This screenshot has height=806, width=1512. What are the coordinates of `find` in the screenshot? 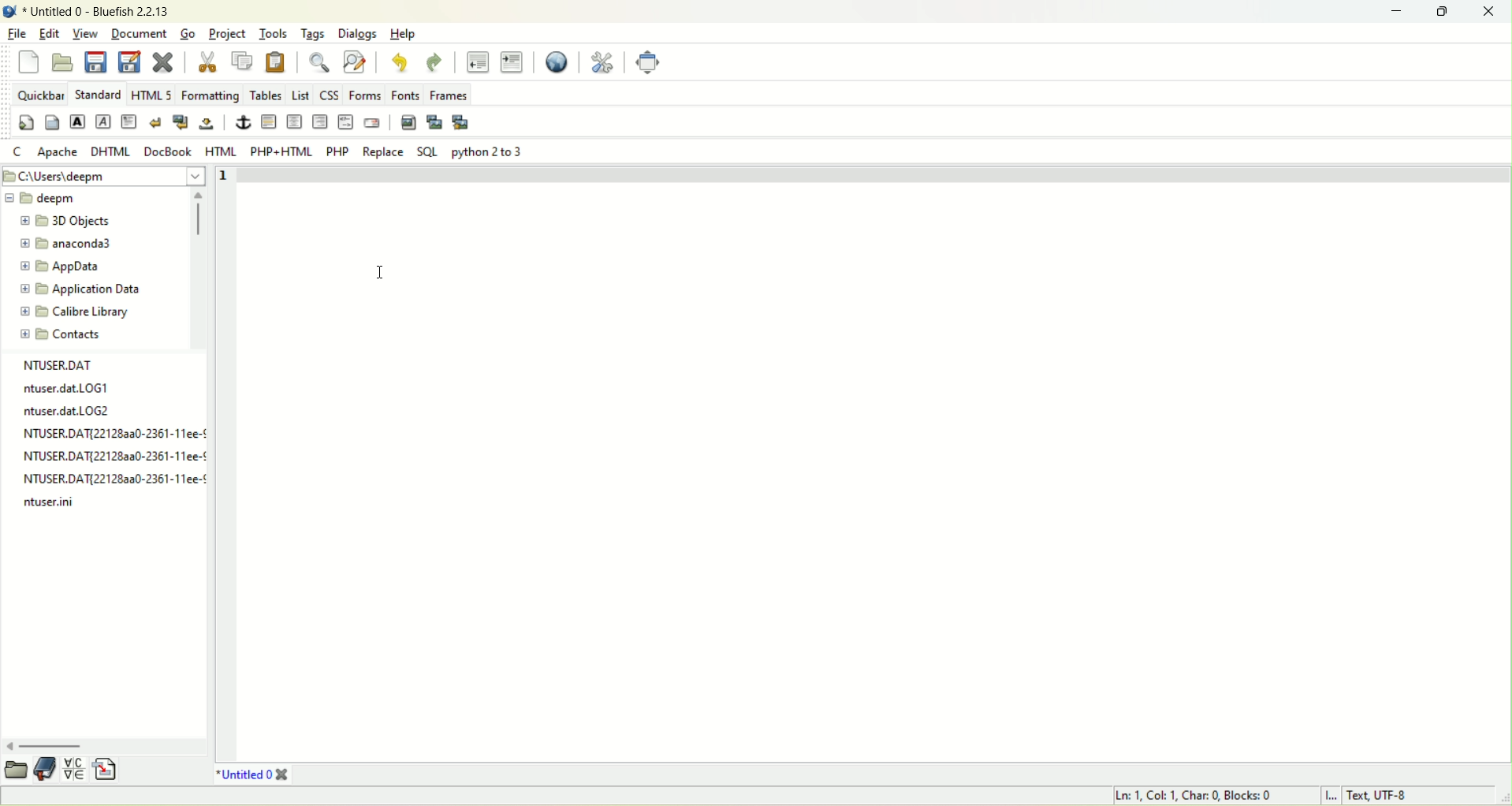 It's located at (320, 62).